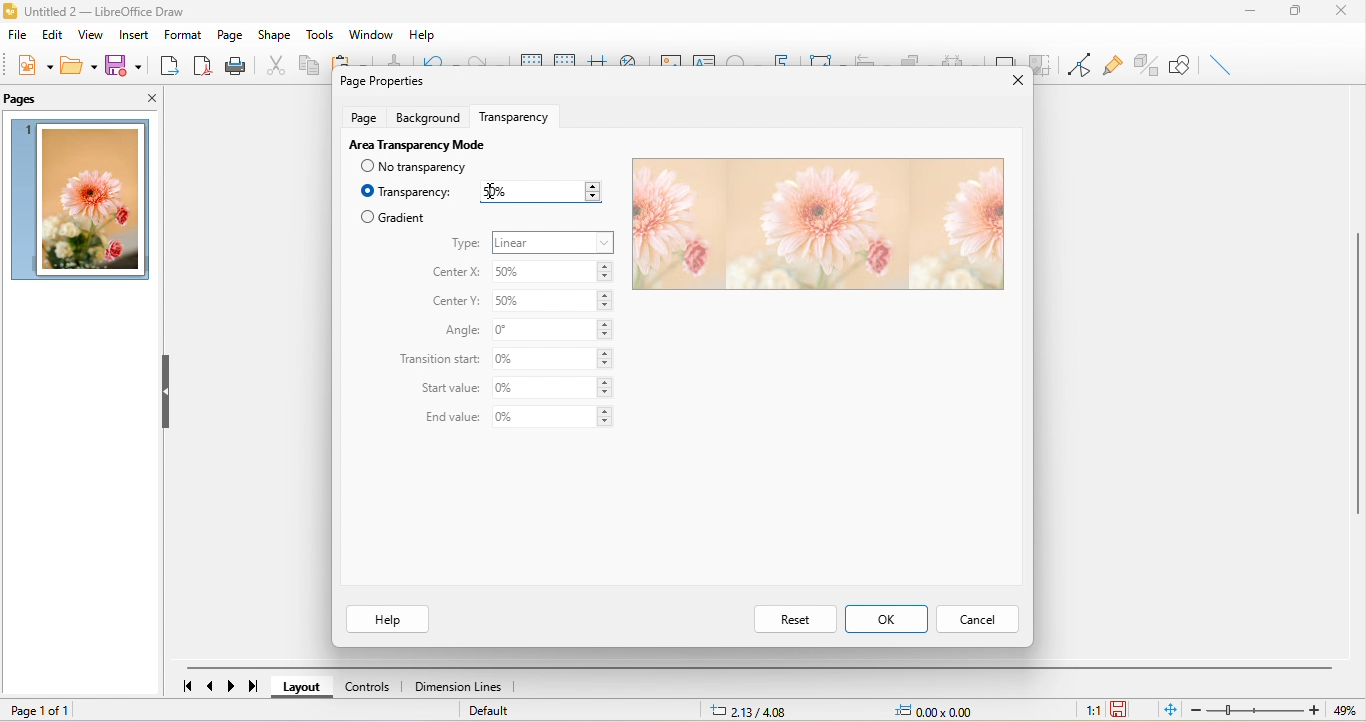  What do you see at coordinates (425, 31) in the screenshot?
I see `help` at bounding box center [425, 31].